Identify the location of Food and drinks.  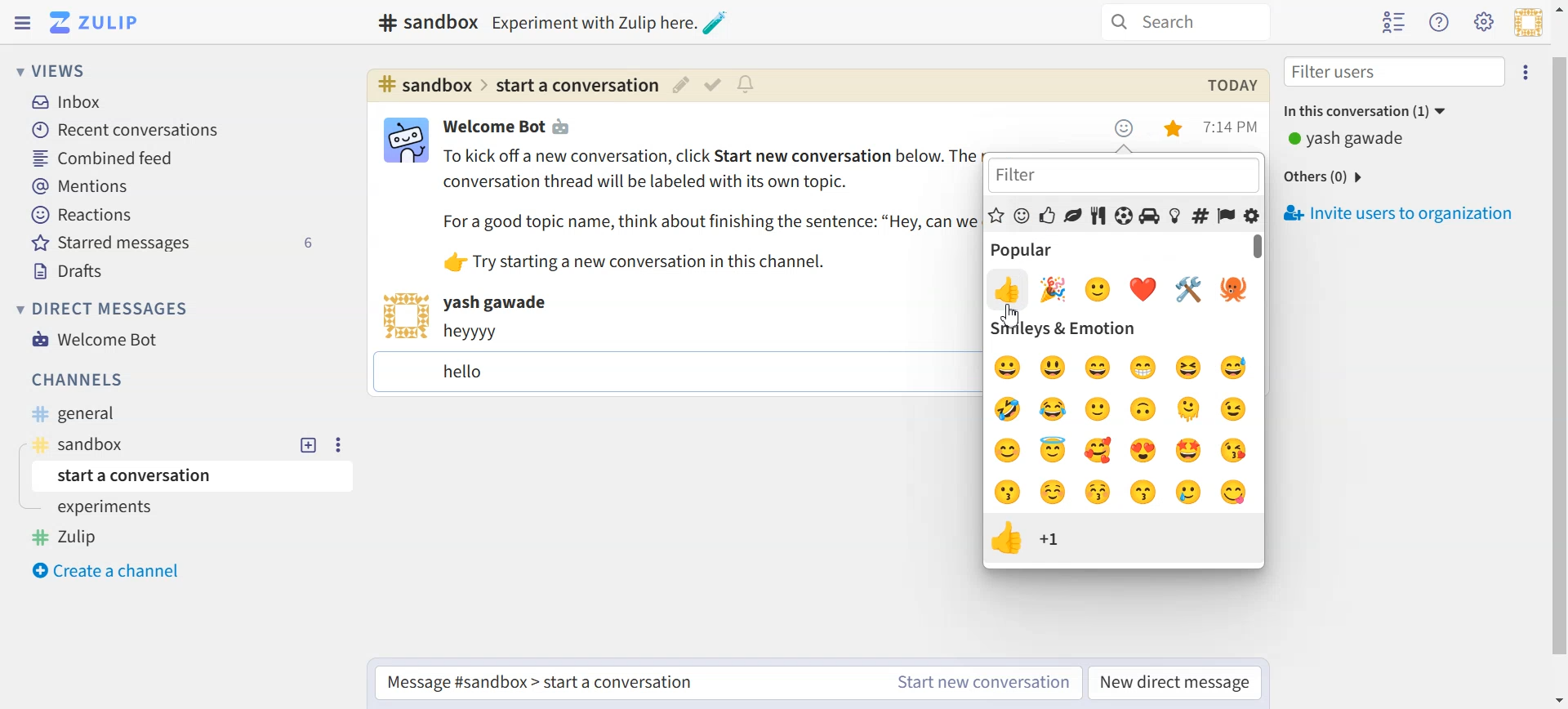
(1098, 216).